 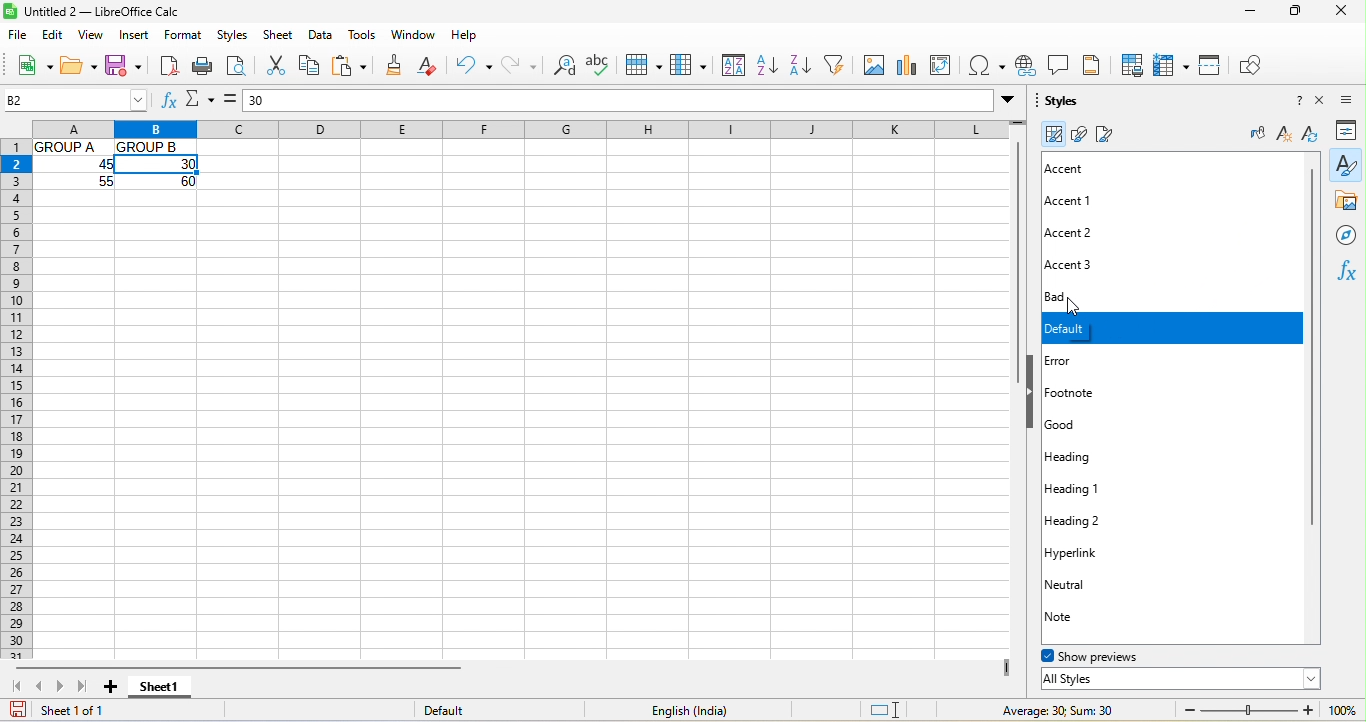 What do you see at coordinates (166, 688) in the screenshot?
I see `sheet 1` at bounding box center [166, 688].